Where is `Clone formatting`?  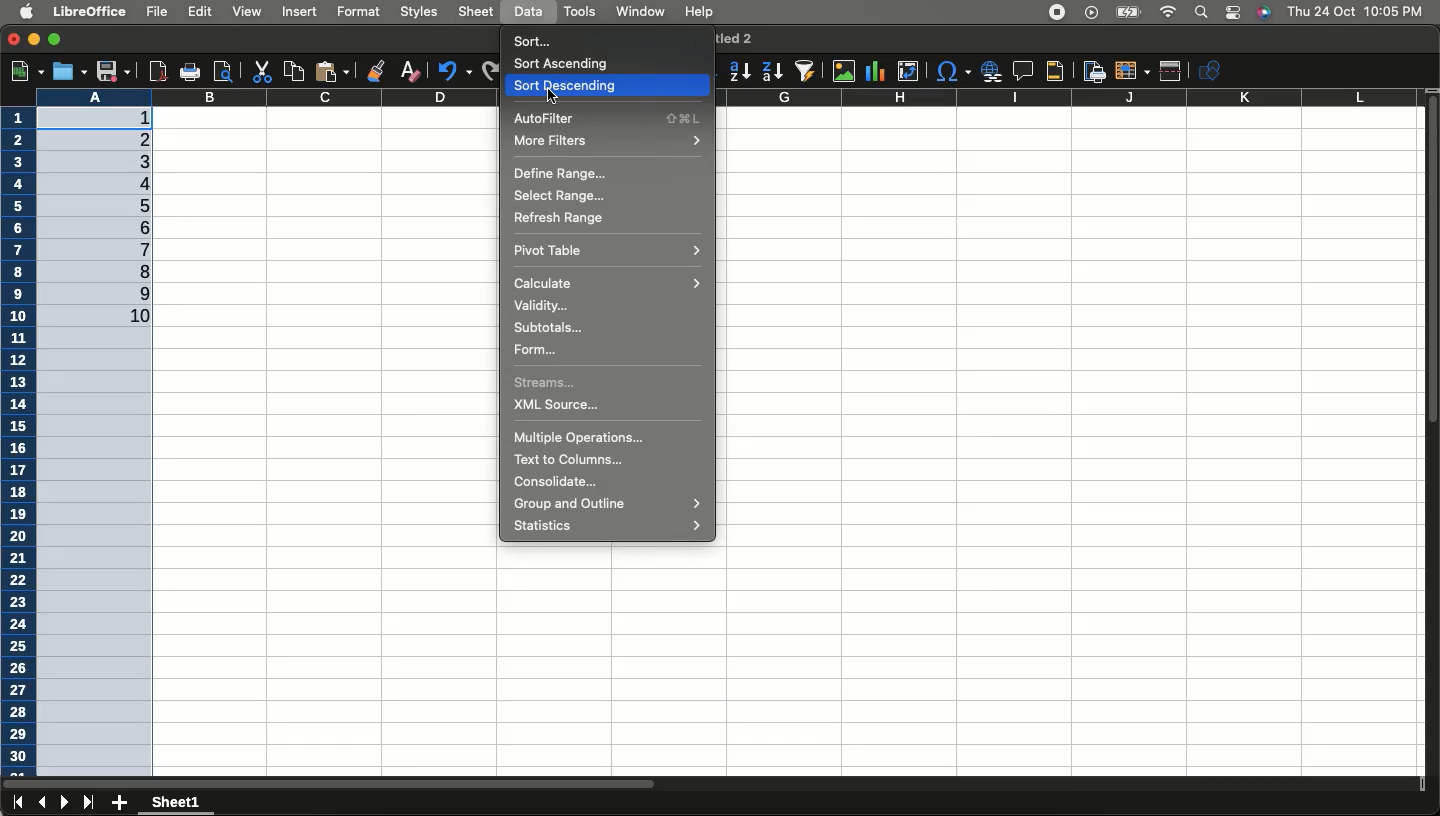 Clone formatting is located at coordinates (378, 69).